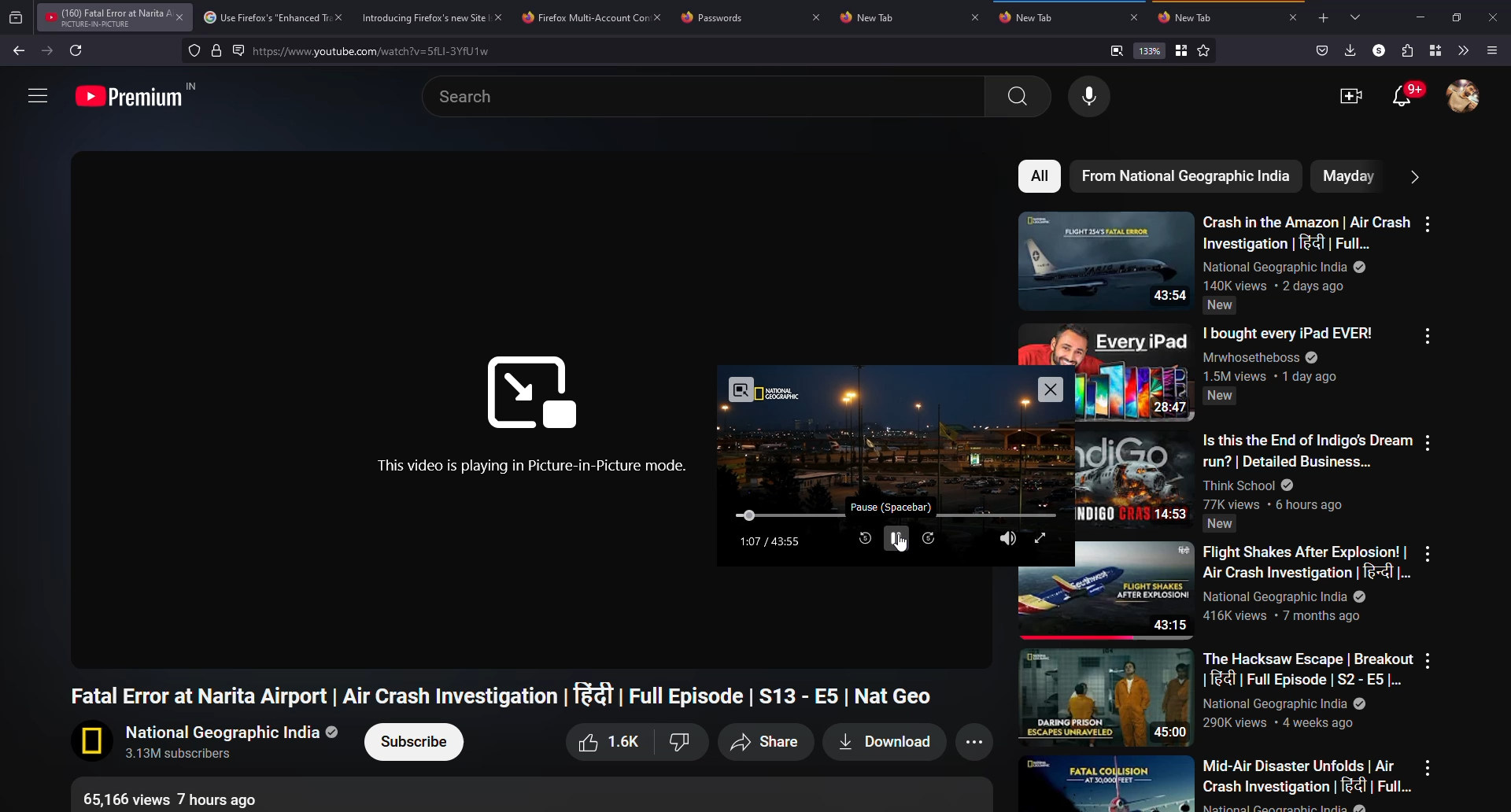 The image size is (1511, 812). What do you see at coordinates (534, 465) in the screenshot?
I see `video playing in picture-in-picture mode` at bounding box center [534, 465].